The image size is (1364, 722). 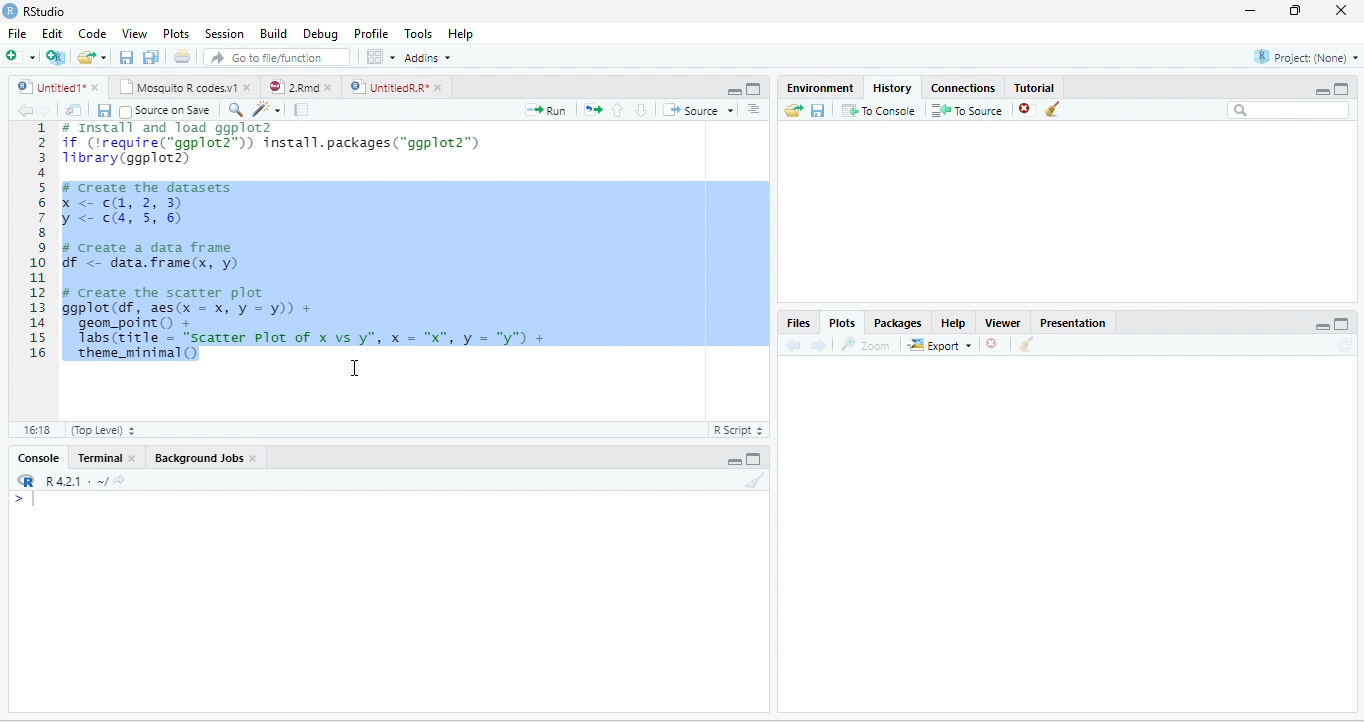 I want to click on R Script, so click(x=740, y=430).